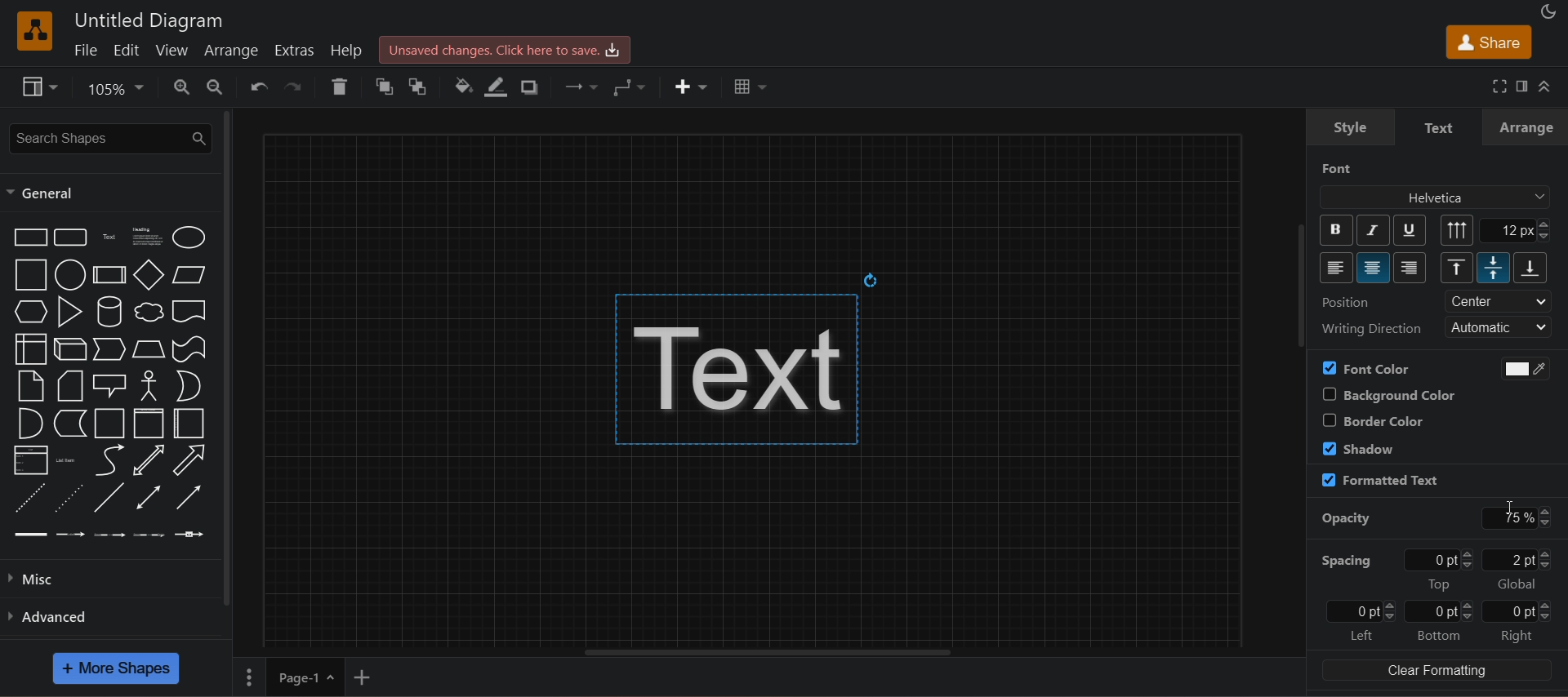 This screenshot has width=1568, height=697. I want to click on vertical scroll bar, so click(226, 357).